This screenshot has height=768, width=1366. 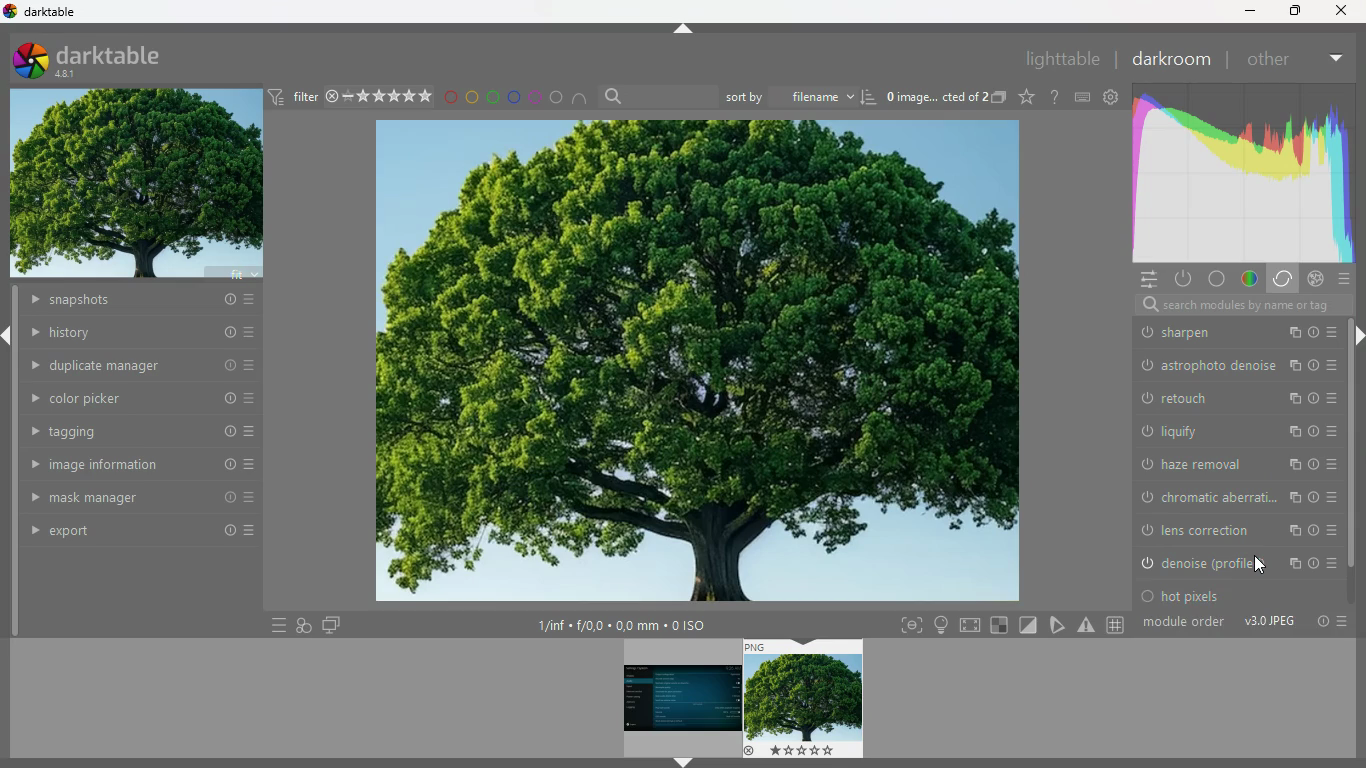 What do you see at coordinates (101, 60) in the screenshot?
I see `darktable` at bounding box center [101, 60].